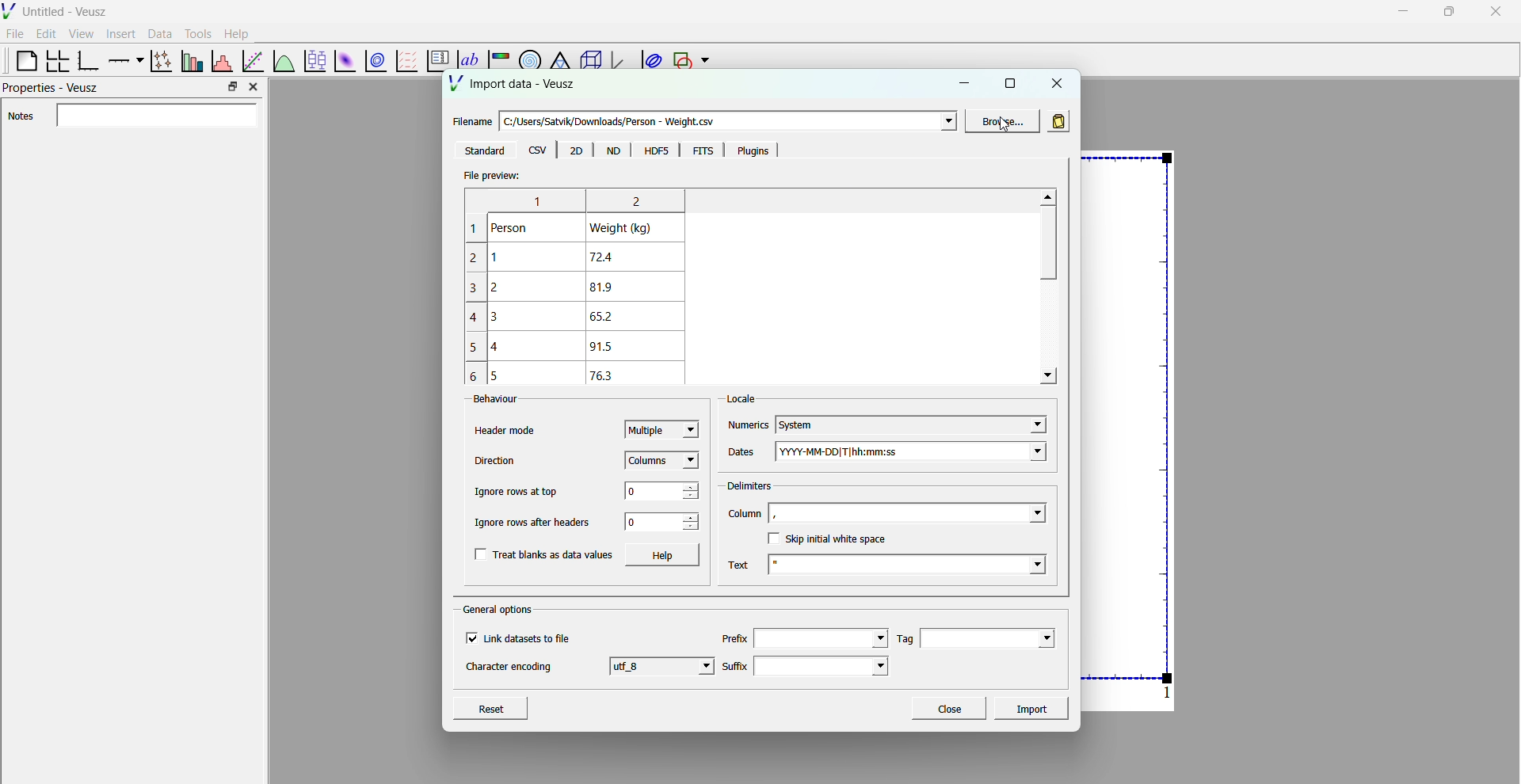  What do you see at coordinates (586, 286) in the screenshot?
I see `Data Preview` at bounding box center [586, 286].